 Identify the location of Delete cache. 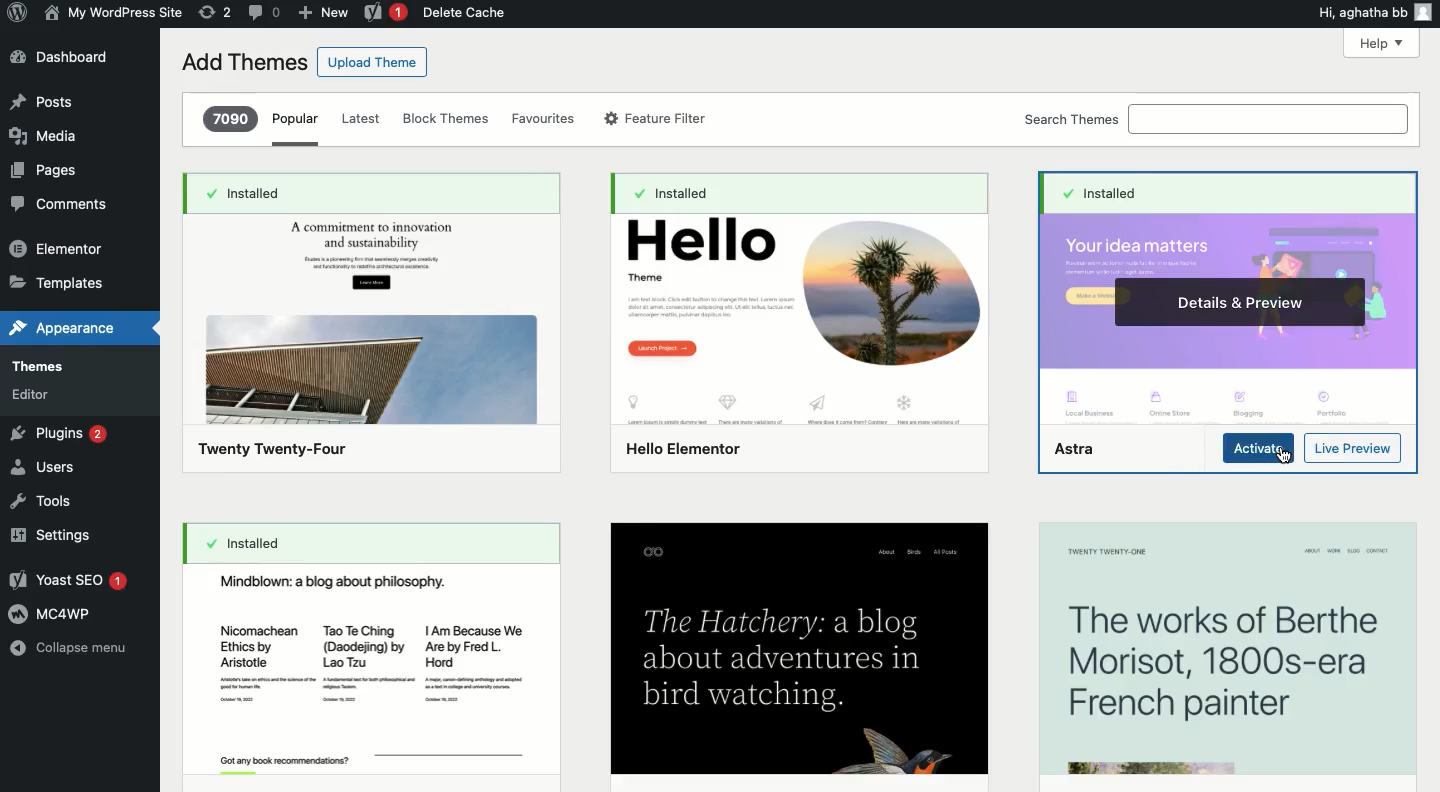
(470, 12).